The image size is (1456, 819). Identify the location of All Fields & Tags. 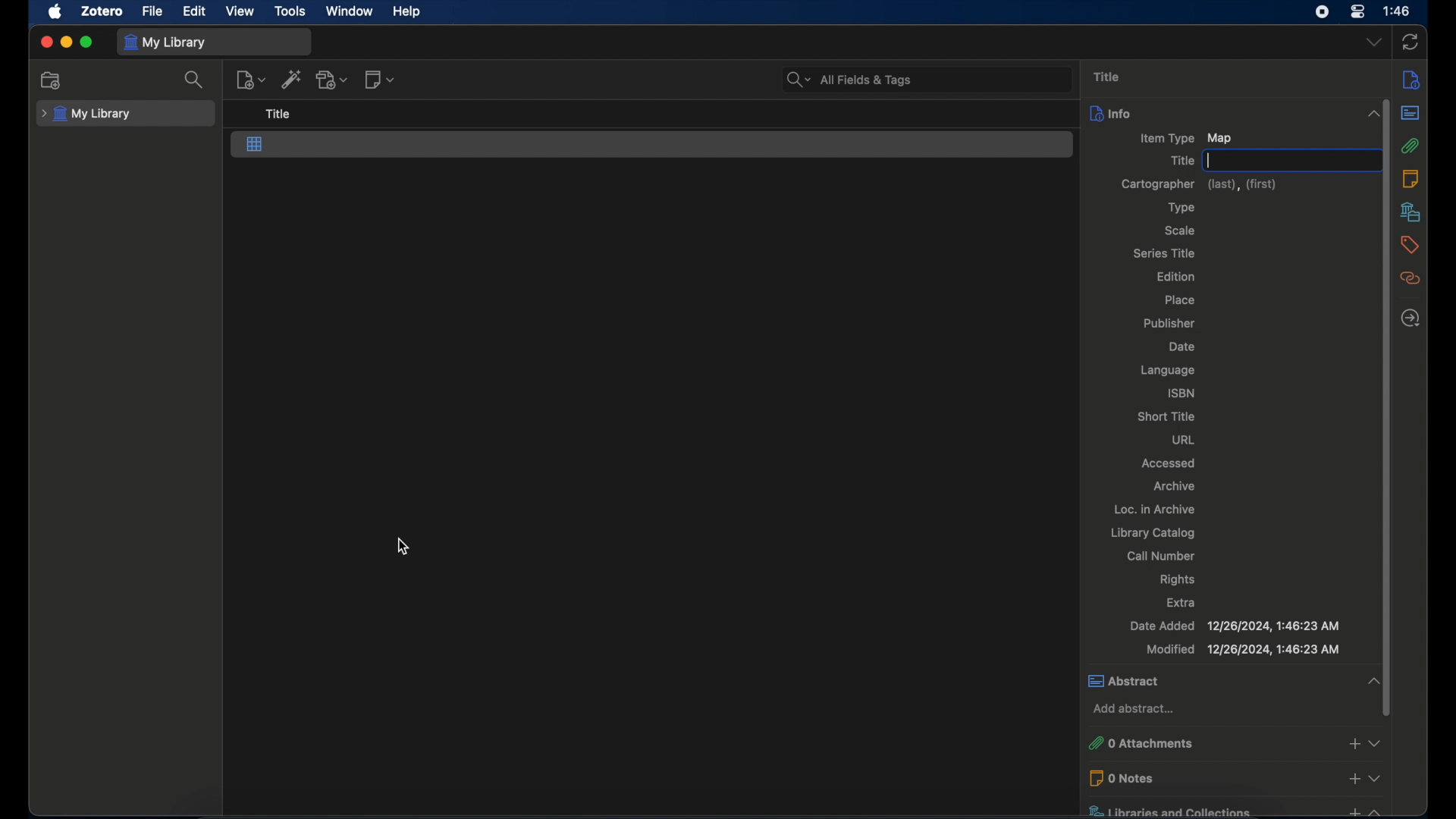
(924, 79).